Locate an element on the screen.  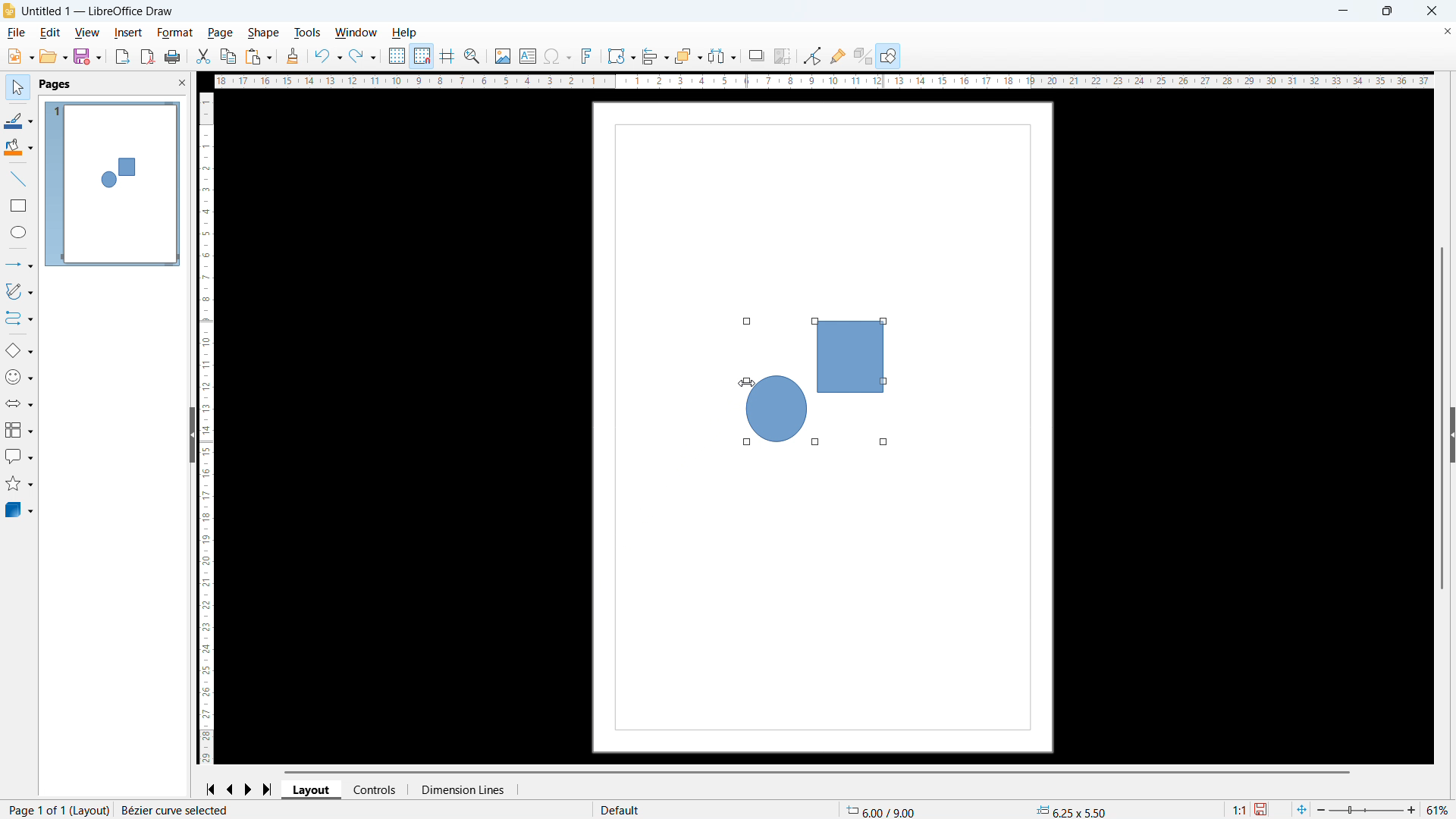
Line colour  is located at coordinates (19, 121).